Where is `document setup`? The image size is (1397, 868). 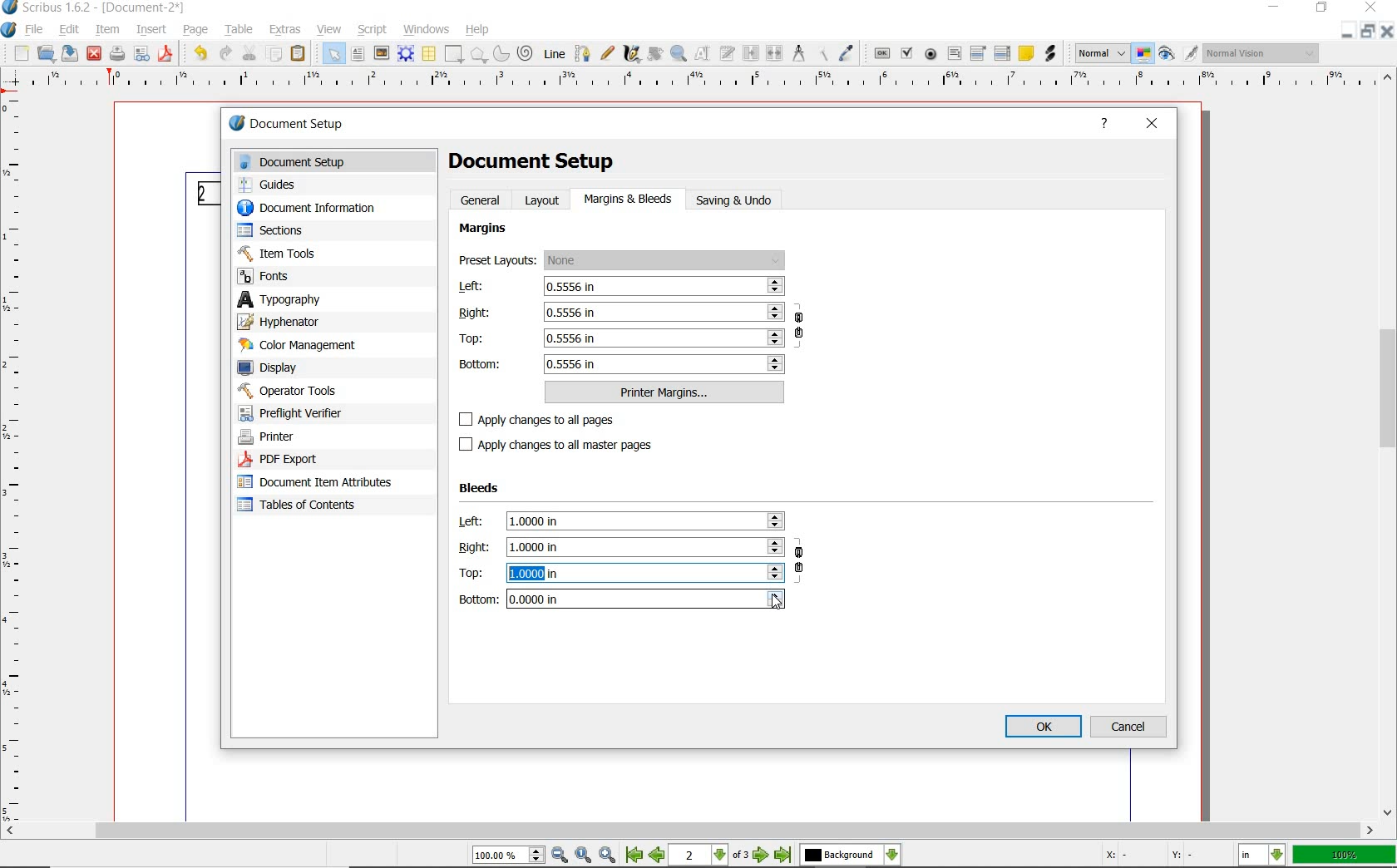 document setup is located at coordinates (534, 160).